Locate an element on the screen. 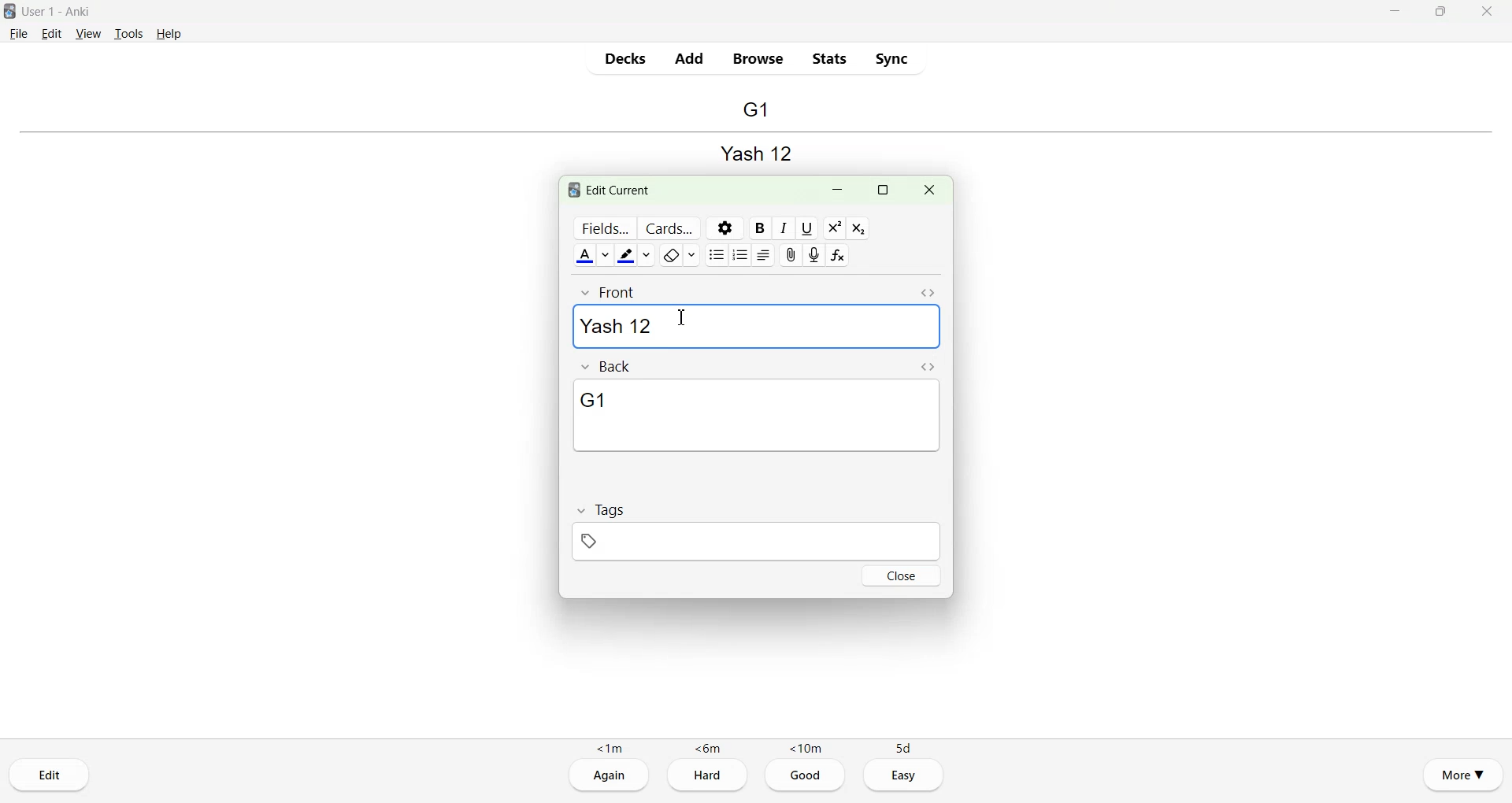 This screenshot has height=803, width=1512. Add tags is located at coordinates (665, 541).